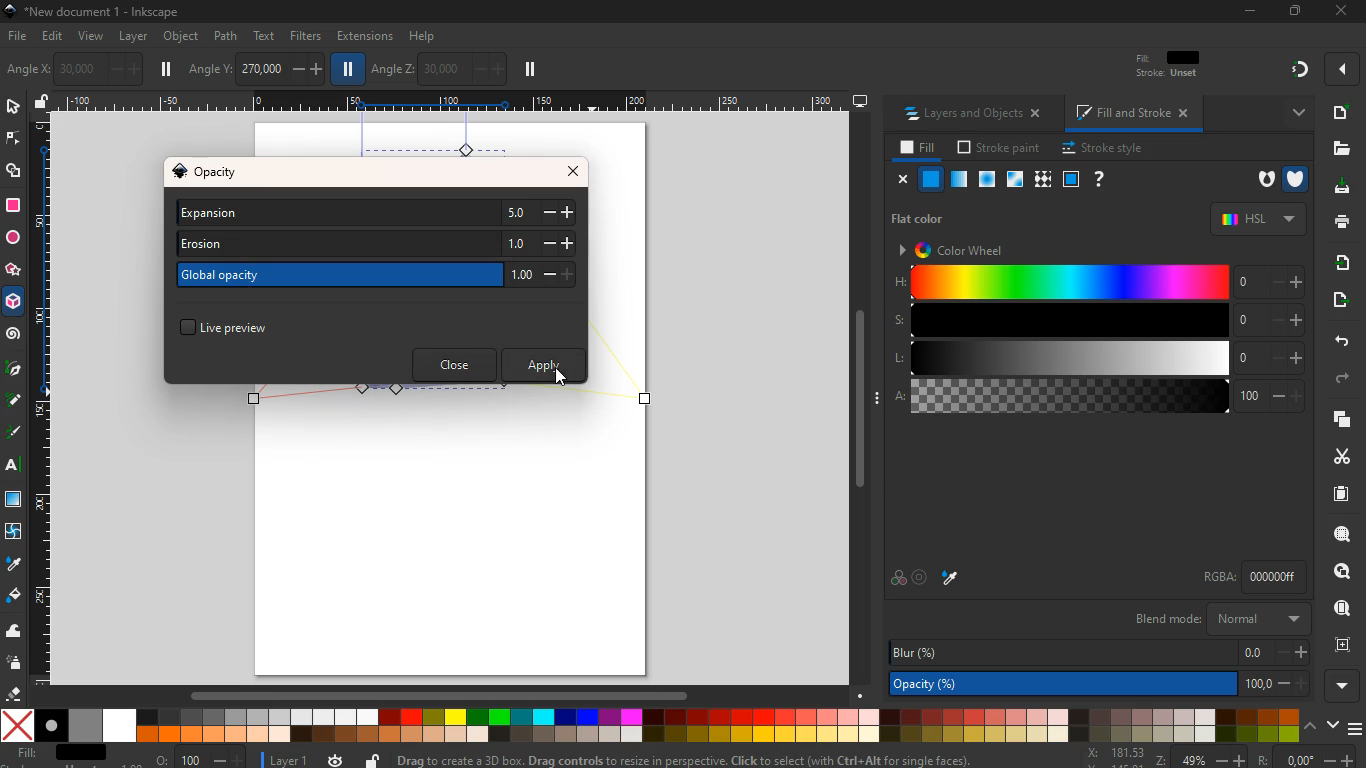  I want to click on desktop, so click(860, 102).